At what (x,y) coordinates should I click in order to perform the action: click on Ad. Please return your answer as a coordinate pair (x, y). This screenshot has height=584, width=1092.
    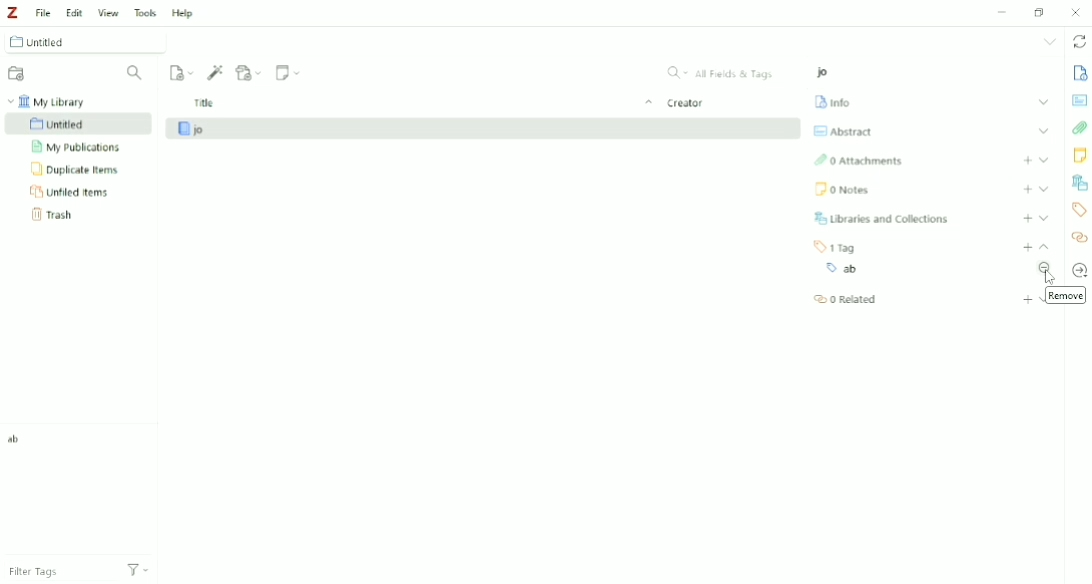
    Looking at the image, I should click on (1027, 160).